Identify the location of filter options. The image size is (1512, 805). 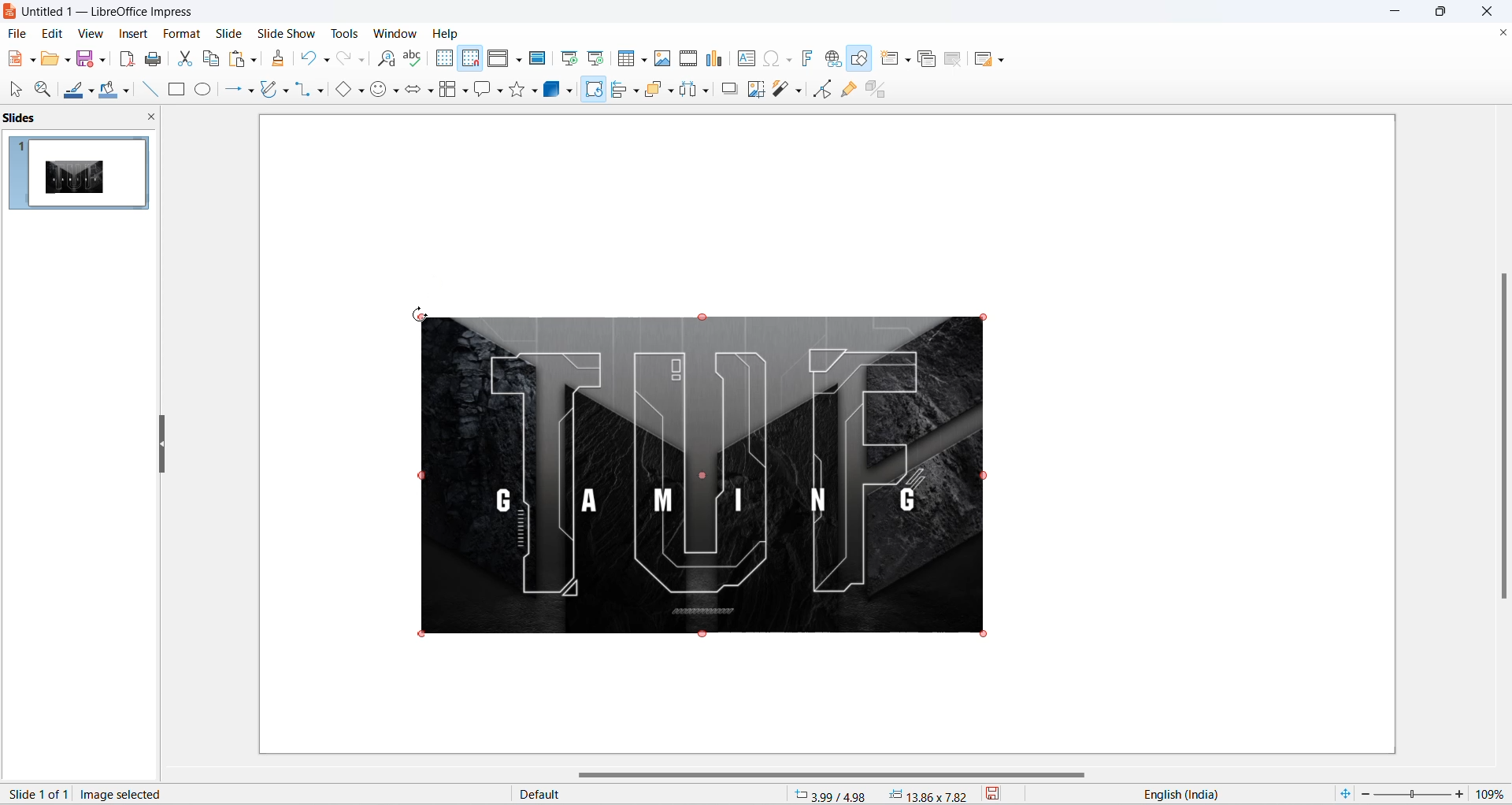
(798, 90).